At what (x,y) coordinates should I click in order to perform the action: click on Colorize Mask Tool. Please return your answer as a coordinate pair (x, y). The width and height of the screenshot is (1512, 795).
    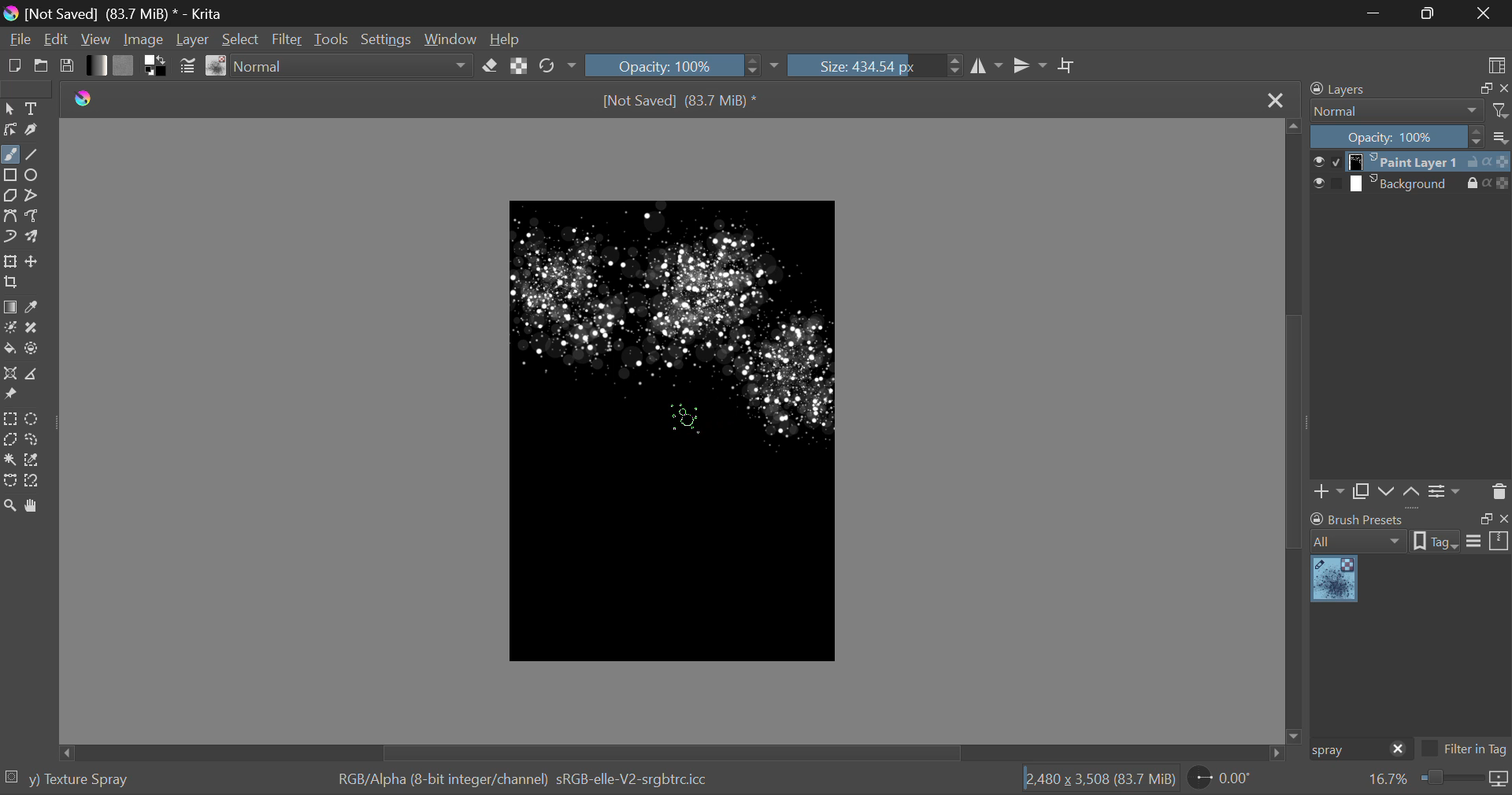
    Looking at the image, I should click on (10, 329).